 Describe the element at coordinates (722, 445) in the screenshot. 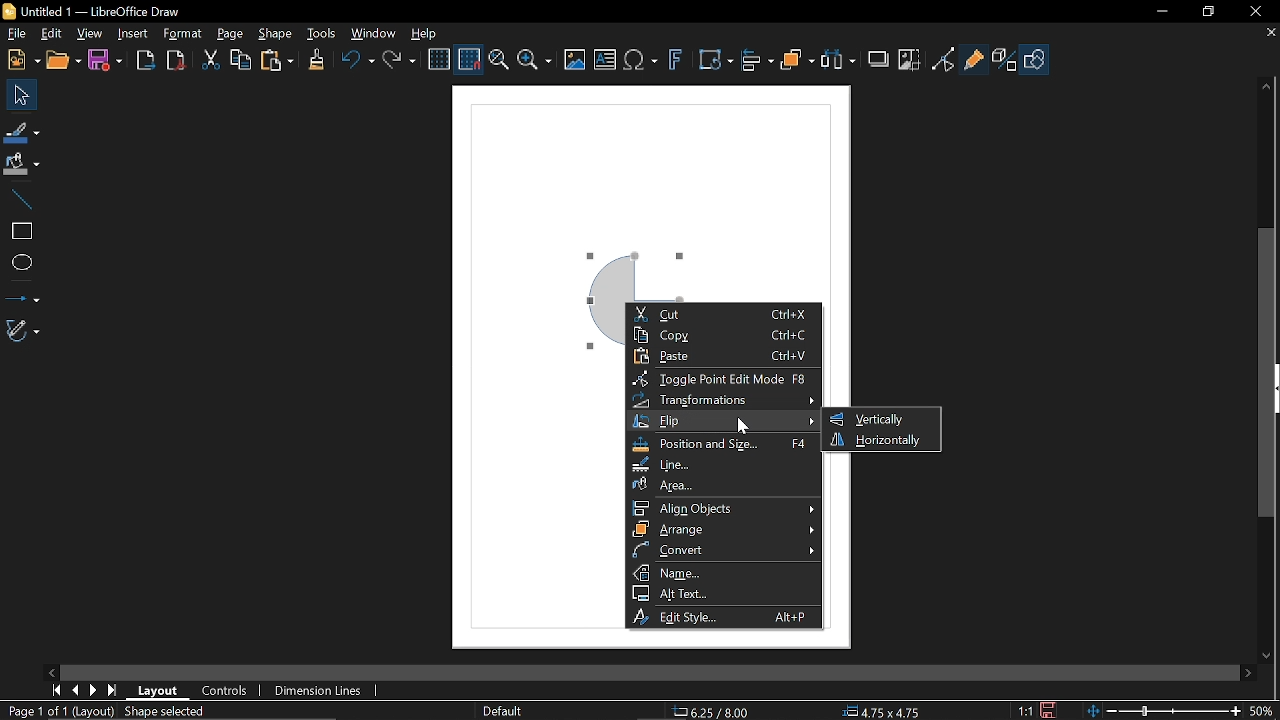

I see `Position and size   F4` at that location.